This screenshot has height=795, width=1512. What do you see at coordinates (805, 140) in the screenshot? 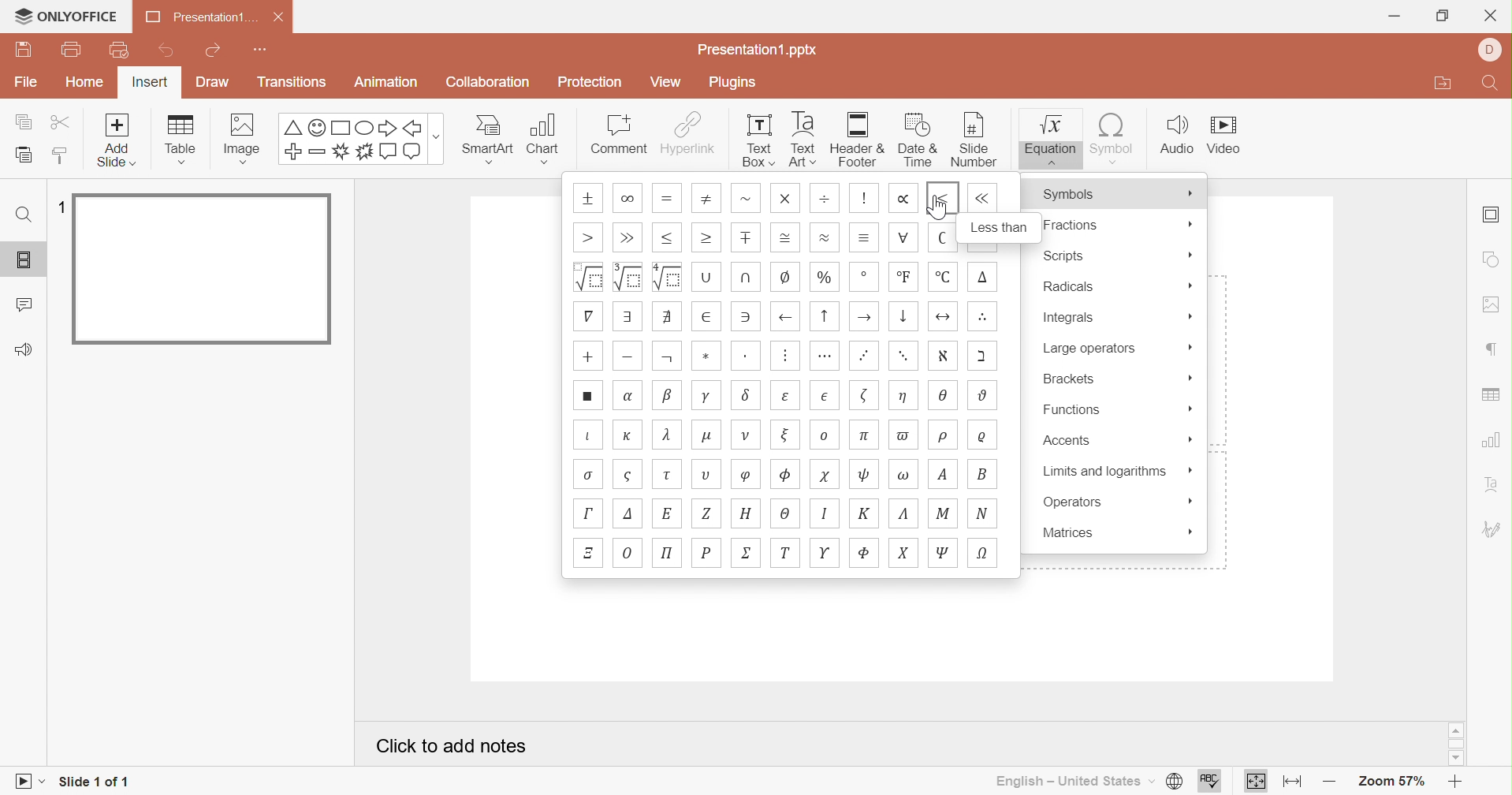
I see `Text Art` at bounding box center [805, 140].